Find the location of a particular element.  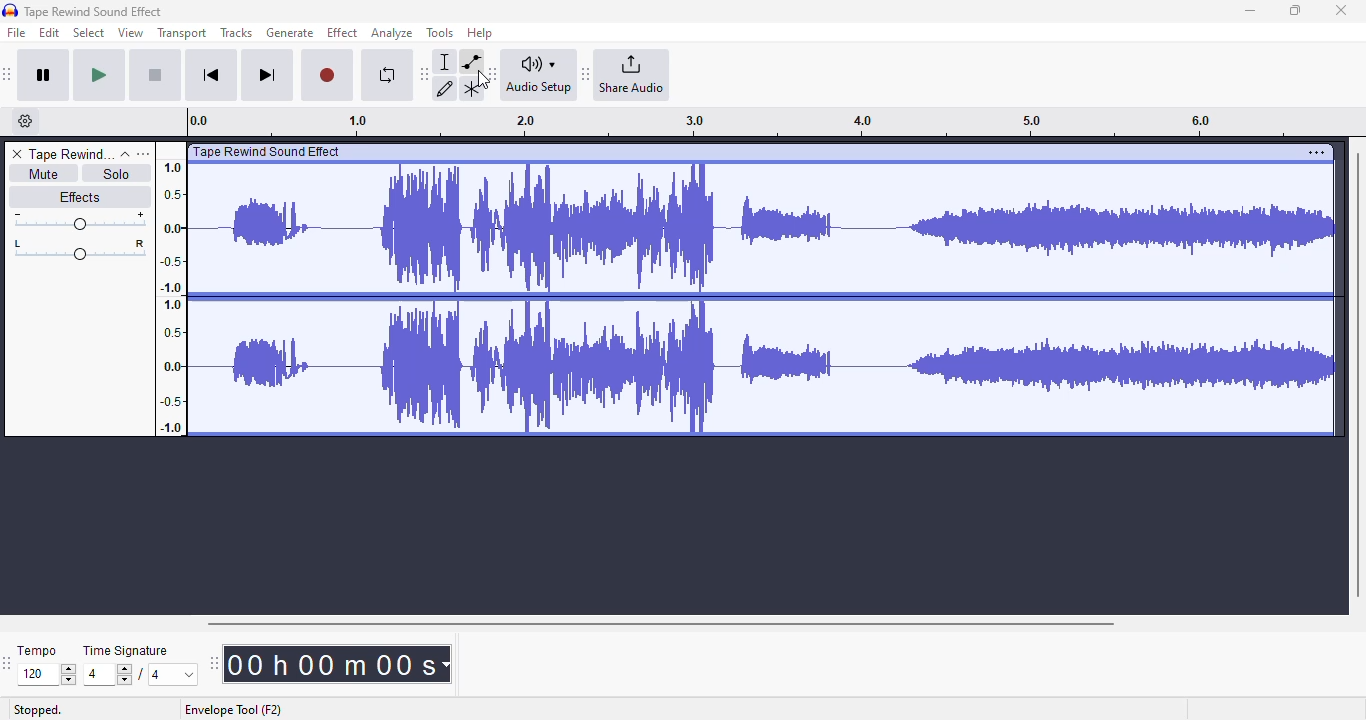

generate is located at coordinates (290, 33).